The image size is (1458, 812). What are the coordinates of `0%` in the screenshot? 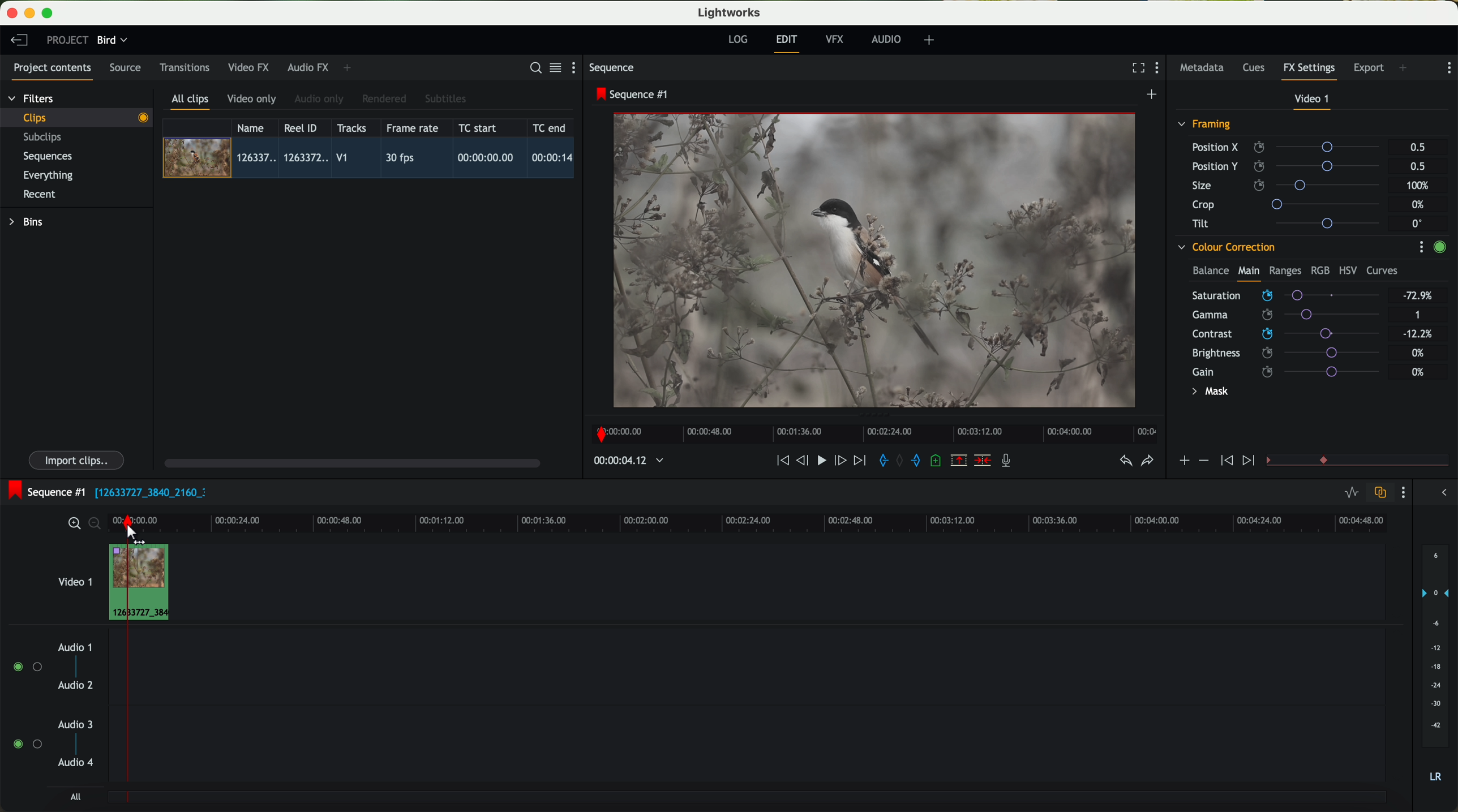 It's located at (1420, 205).